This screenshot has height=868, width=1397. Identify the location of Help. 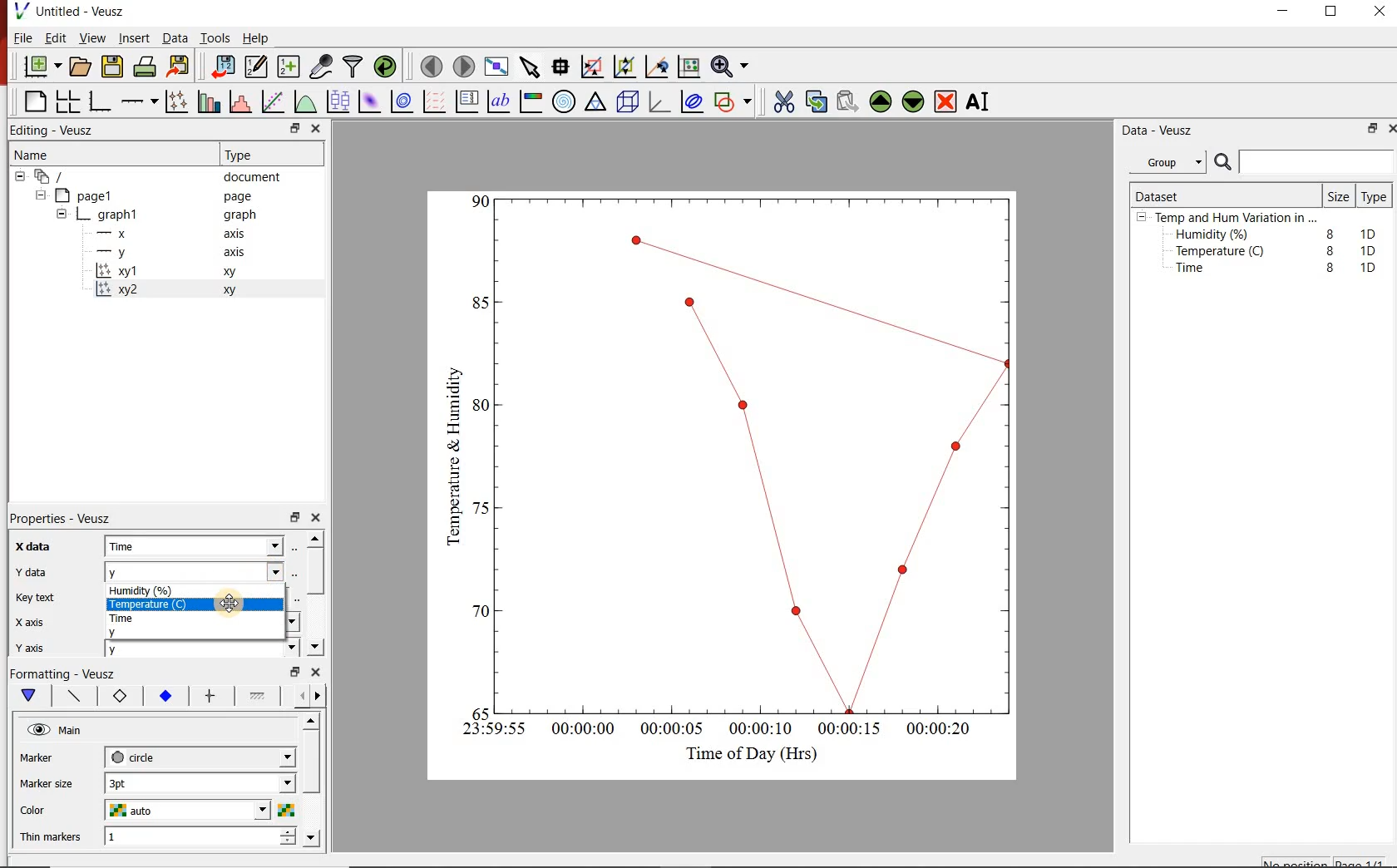
(257, 37).